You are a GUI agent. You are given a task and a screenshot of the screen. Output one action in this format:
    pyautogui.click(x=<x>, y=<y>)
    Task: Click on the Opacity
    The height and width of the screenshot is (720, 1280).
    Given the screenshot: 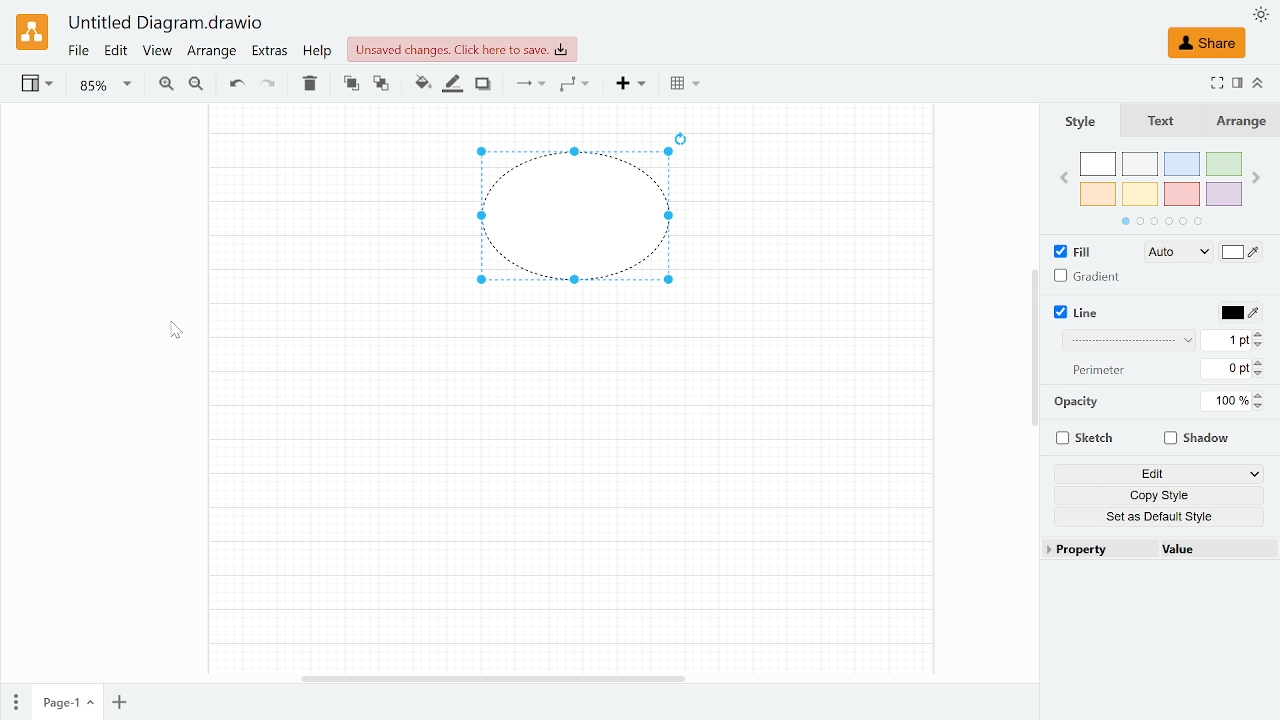 What is the action you would take?
    pyautogui.click(x=1075, y=403)
    